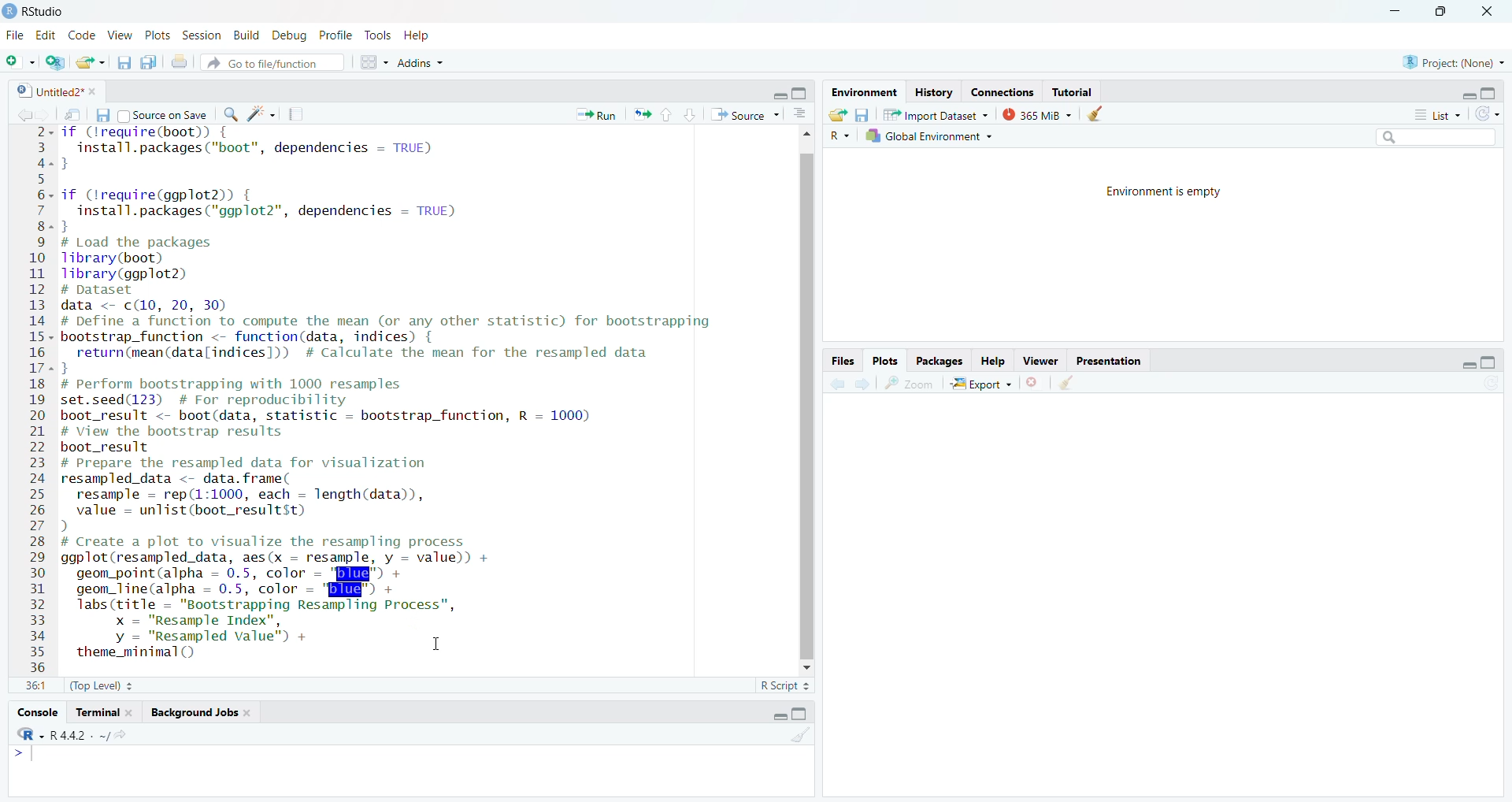 This screenshot has height=802, width=1512. I want to click on Plots, so click(157, 35).